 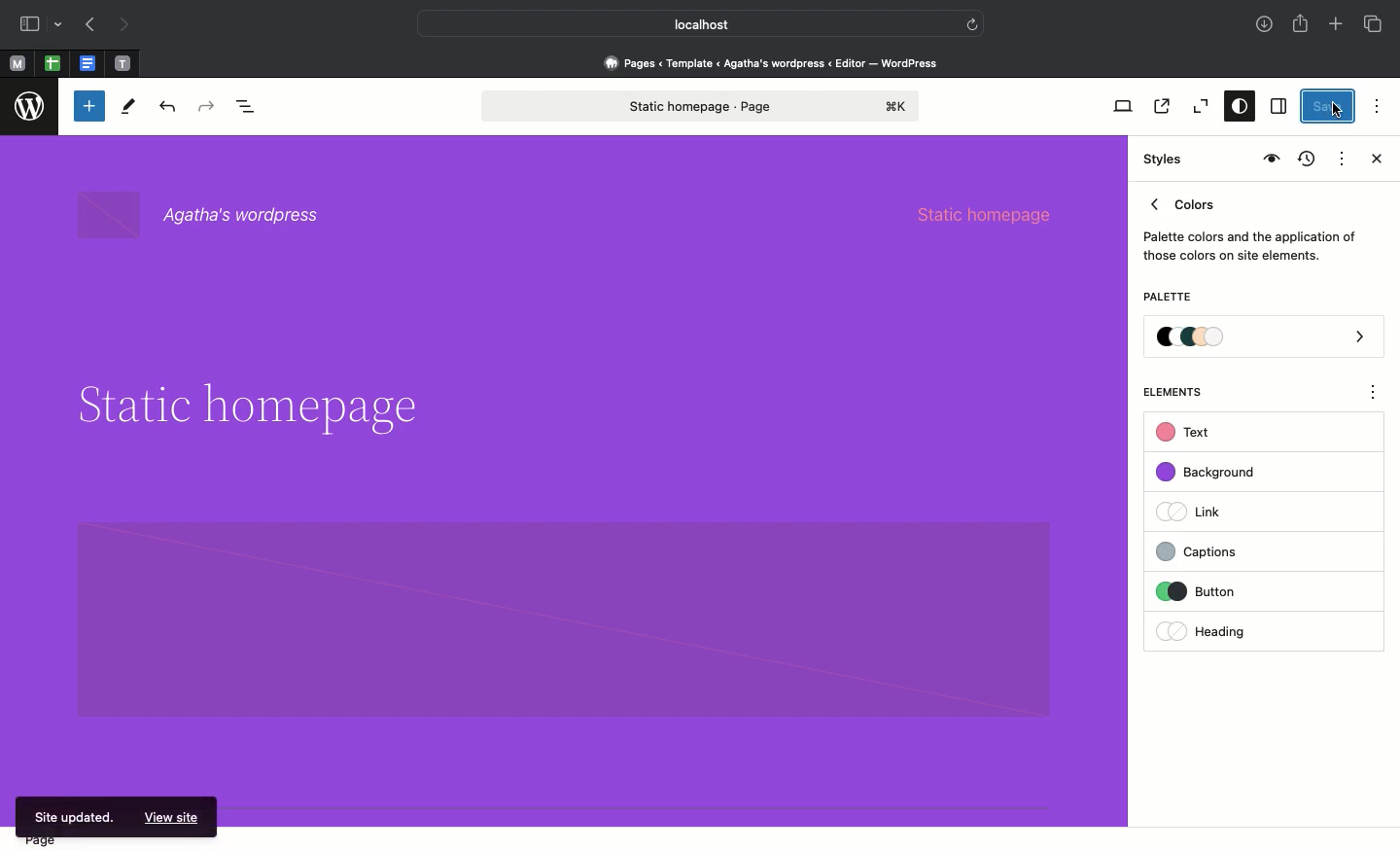 I want to click on page, so click(x=45, y=839).